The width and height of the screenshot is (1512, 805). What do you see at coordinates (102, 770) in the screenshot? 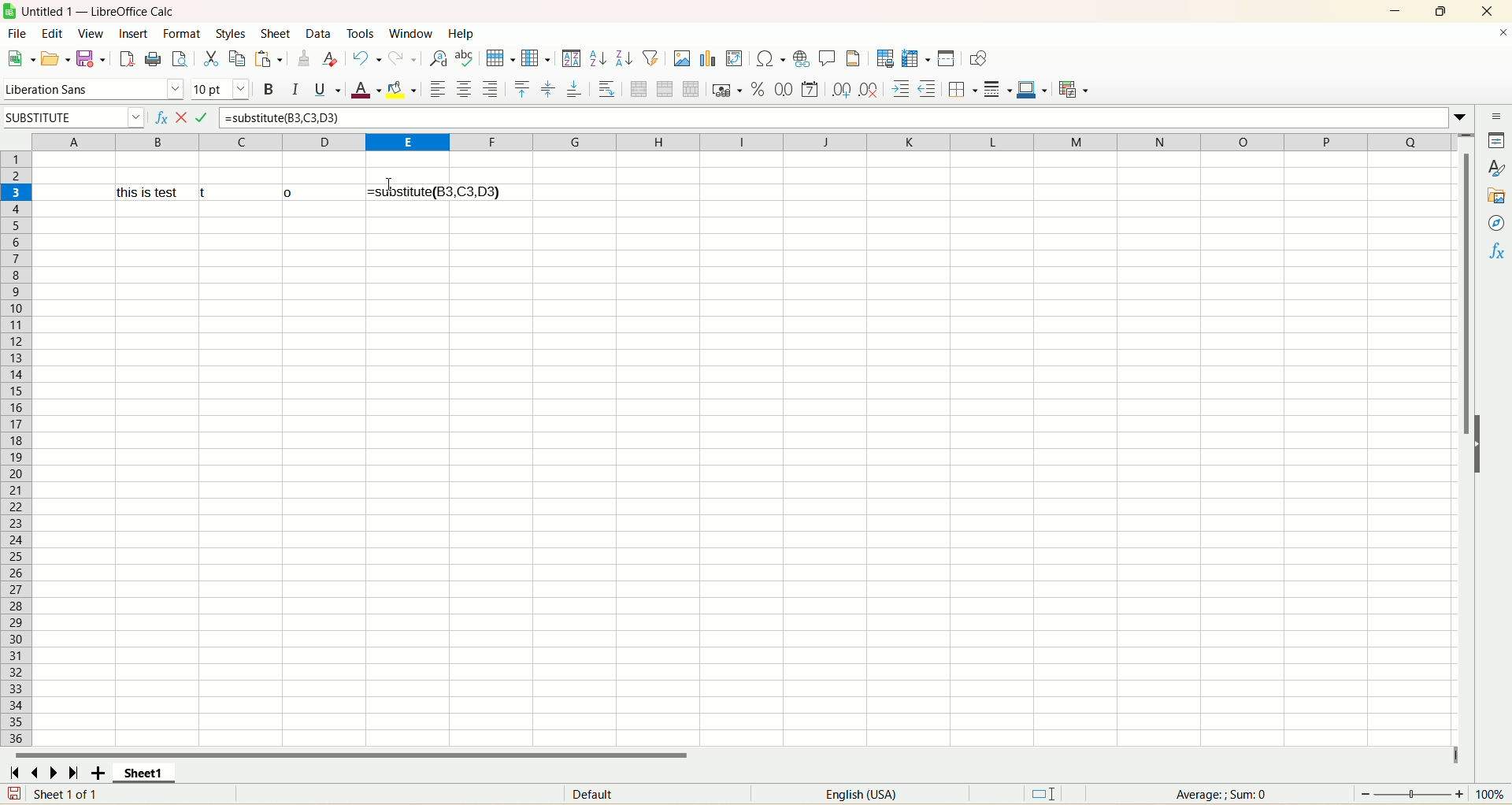
I see `add sheet` at bounding box center [102, 770].